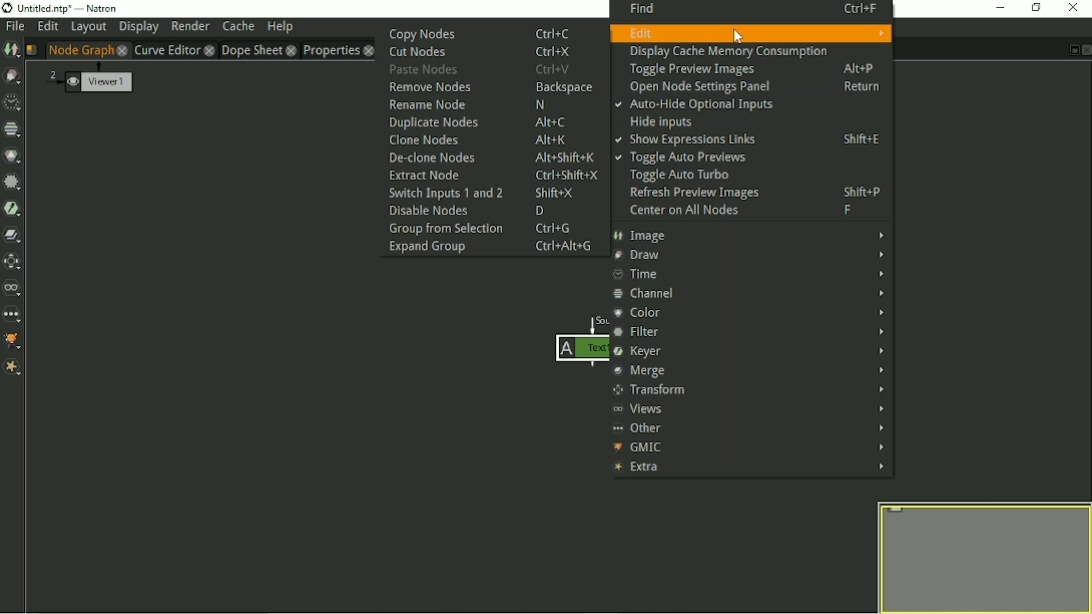 This screenshot has width=1092, height=614. Describe the element at coordinates (749, 312) in the screenshot. I see `Color` at that location.